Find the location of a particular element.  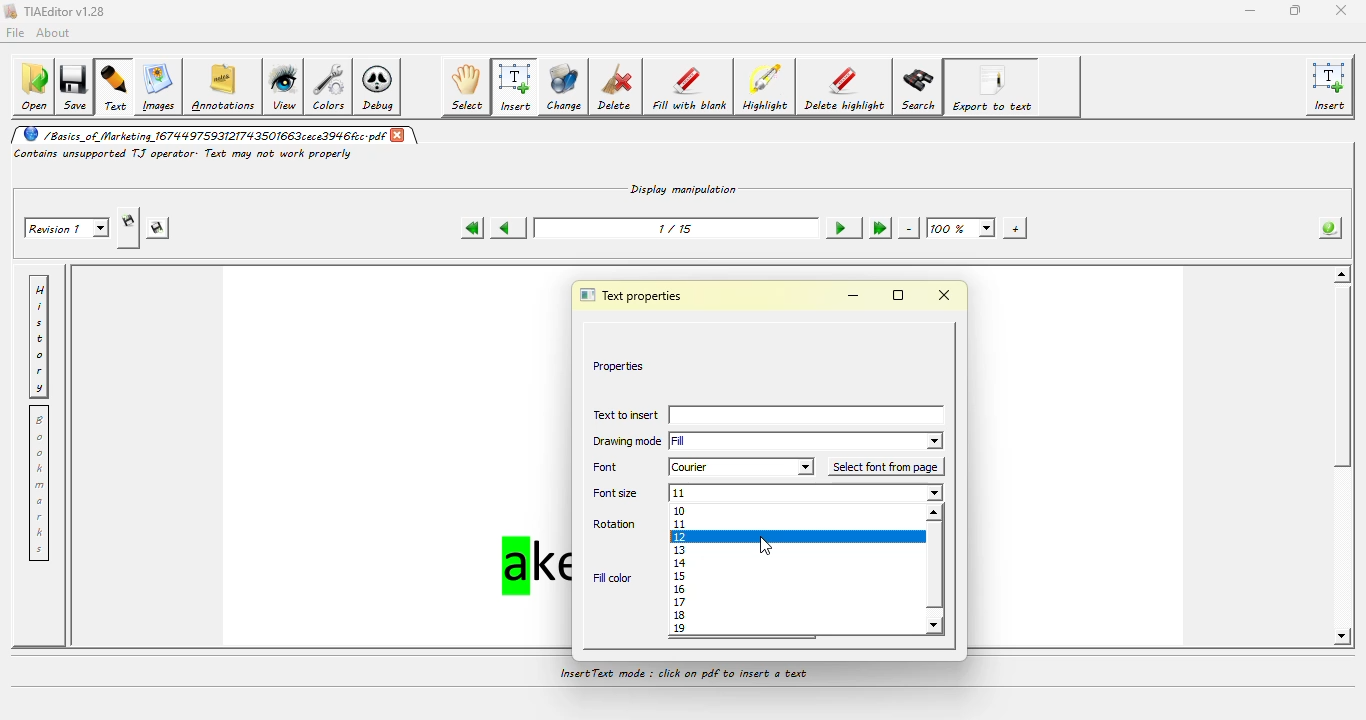

Fill color is located at coordinates (612, 577).